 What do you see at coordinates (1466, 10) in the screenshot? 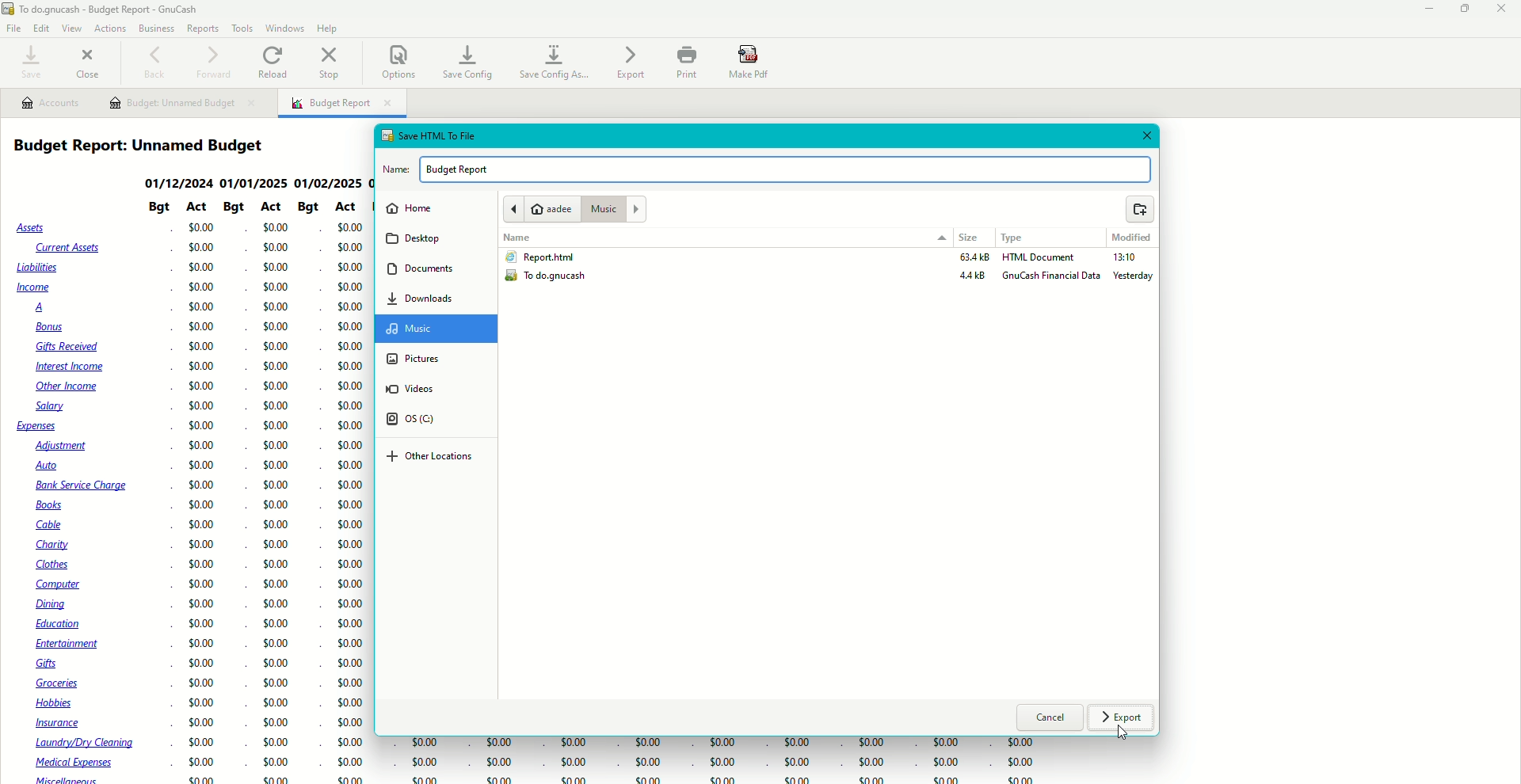
I see `Restore` at bounding box center [1466, 10].